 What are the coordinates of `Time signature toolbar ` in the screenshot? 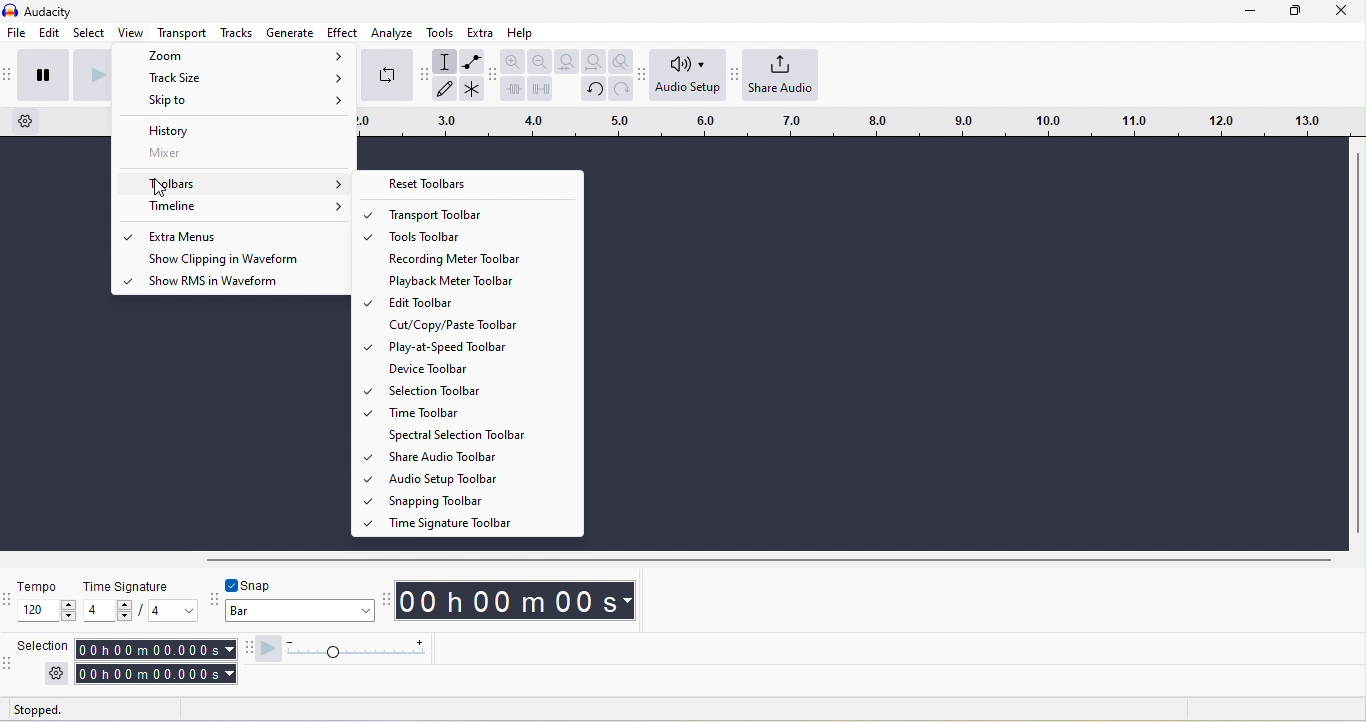 It's located at (480, 522).